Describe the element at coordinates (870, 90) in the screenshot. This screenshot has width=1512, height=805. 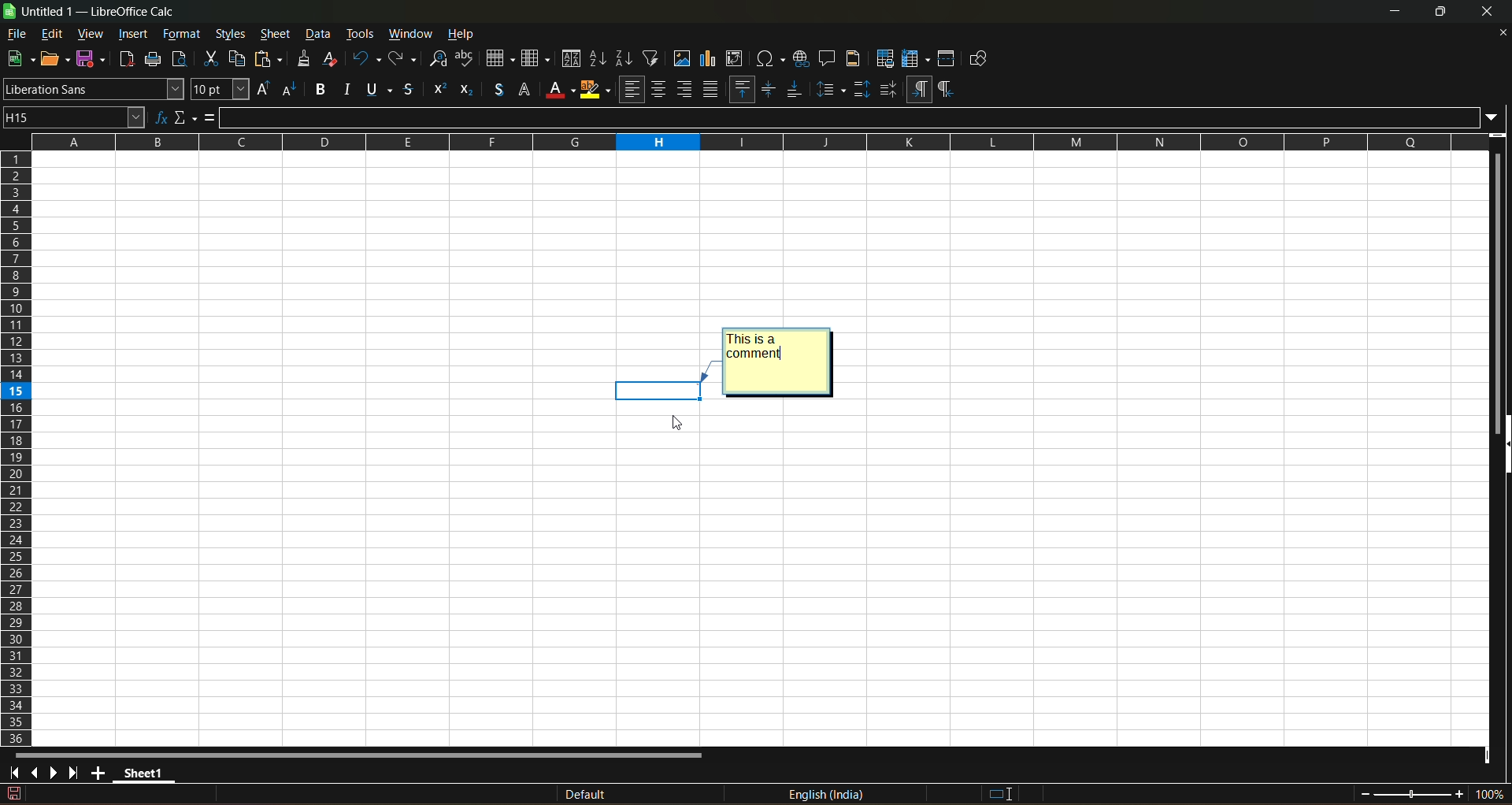
I see `remove decimal place` at that location.